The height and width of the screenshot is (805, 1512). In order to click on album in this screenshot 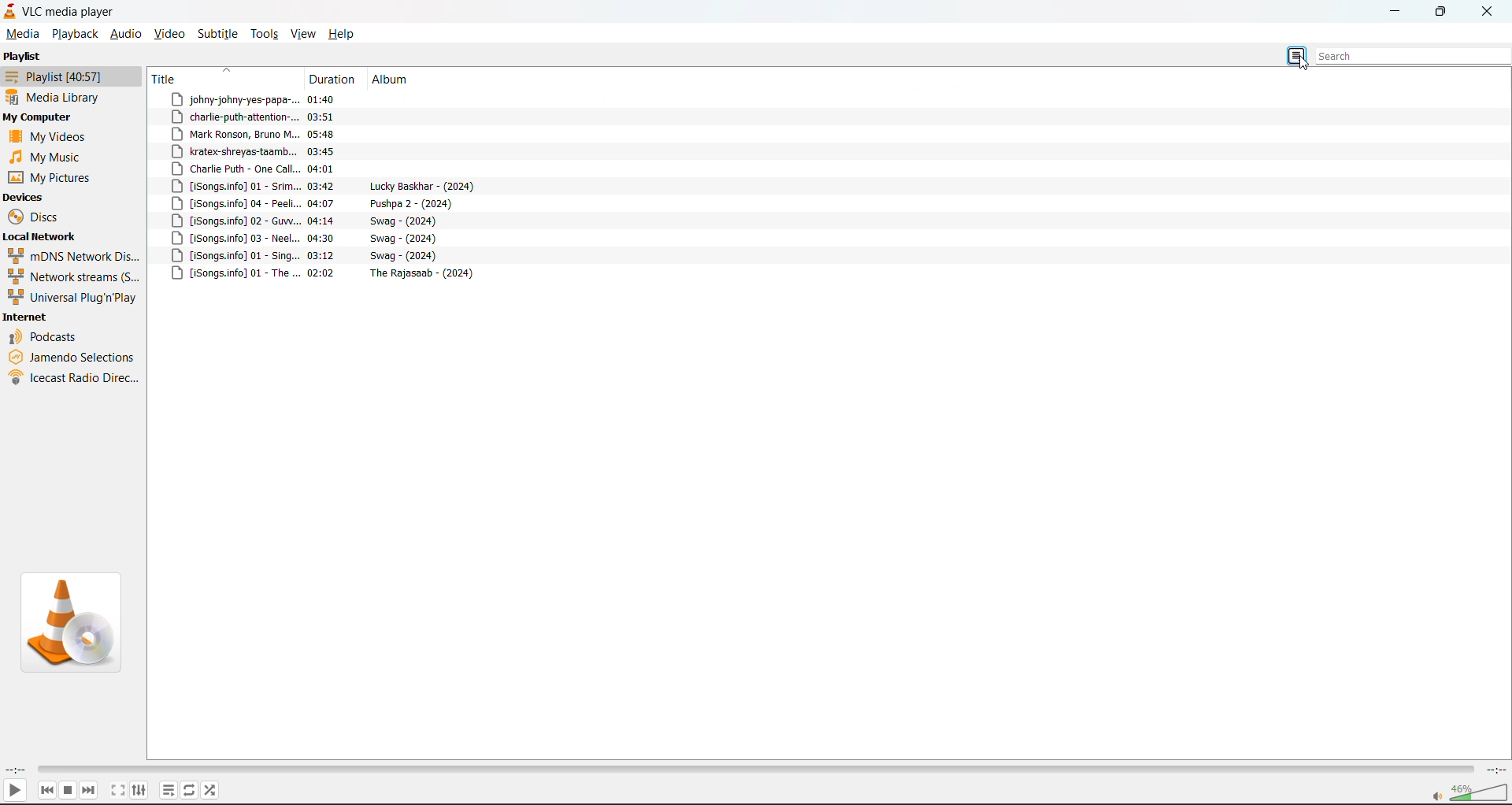, I will do `click(391, 80)`.